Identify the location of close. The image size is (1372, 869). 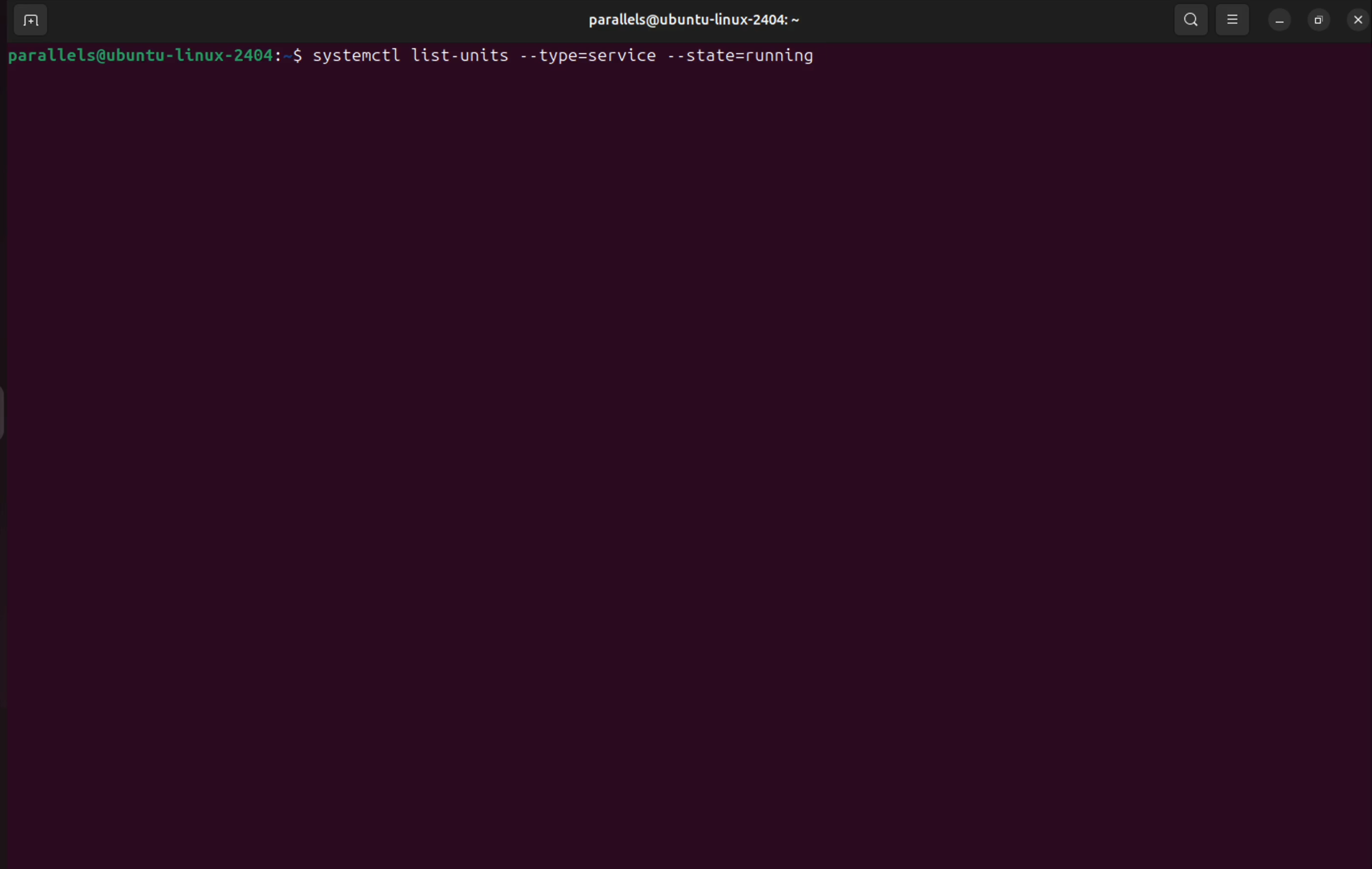
(1357, 21).